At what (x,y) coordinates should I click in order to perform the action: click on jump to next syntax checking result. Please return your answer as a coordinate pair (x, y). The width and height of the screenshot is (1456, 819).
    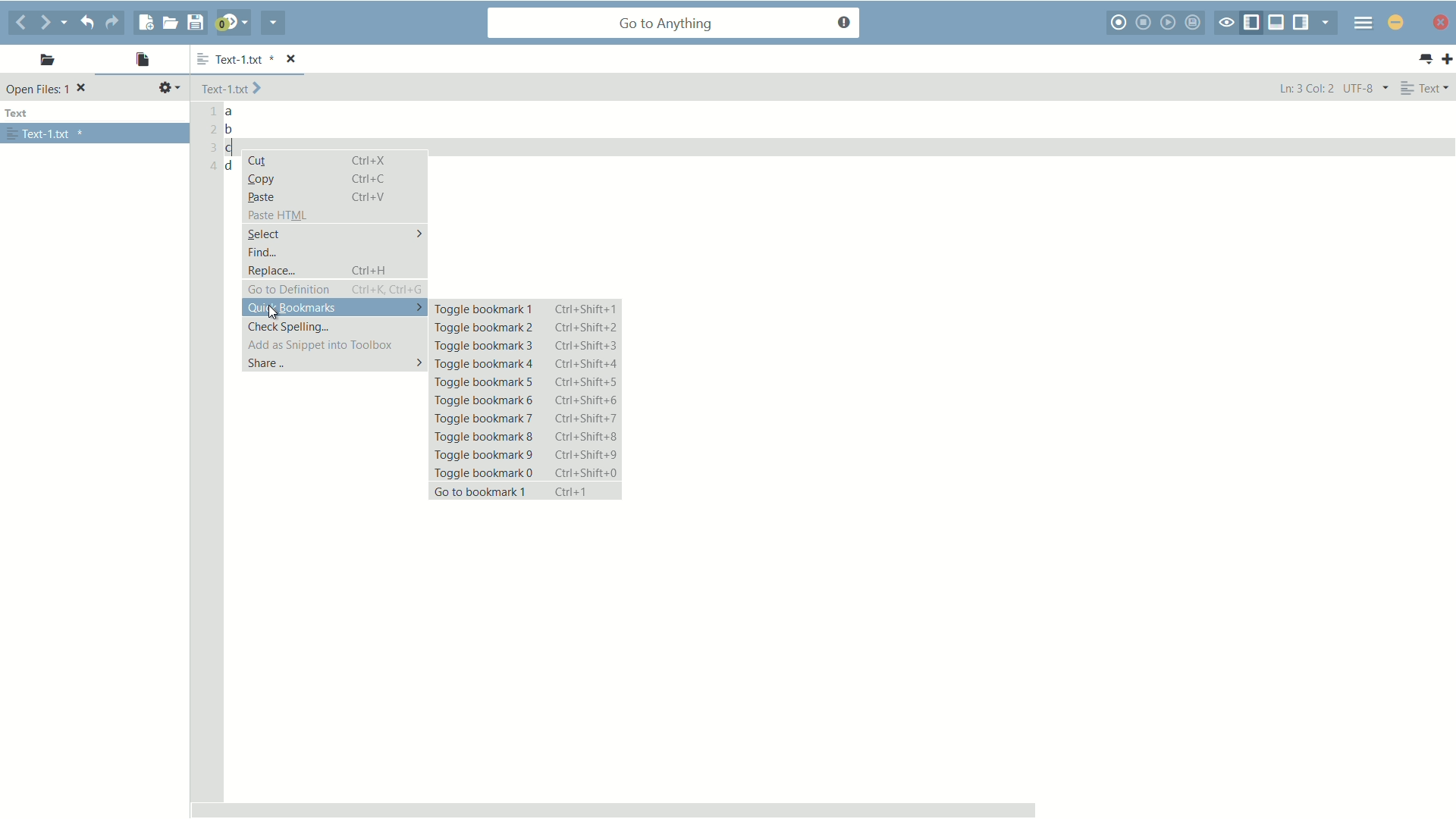
    Looking at the image, I should click on (231, 23).